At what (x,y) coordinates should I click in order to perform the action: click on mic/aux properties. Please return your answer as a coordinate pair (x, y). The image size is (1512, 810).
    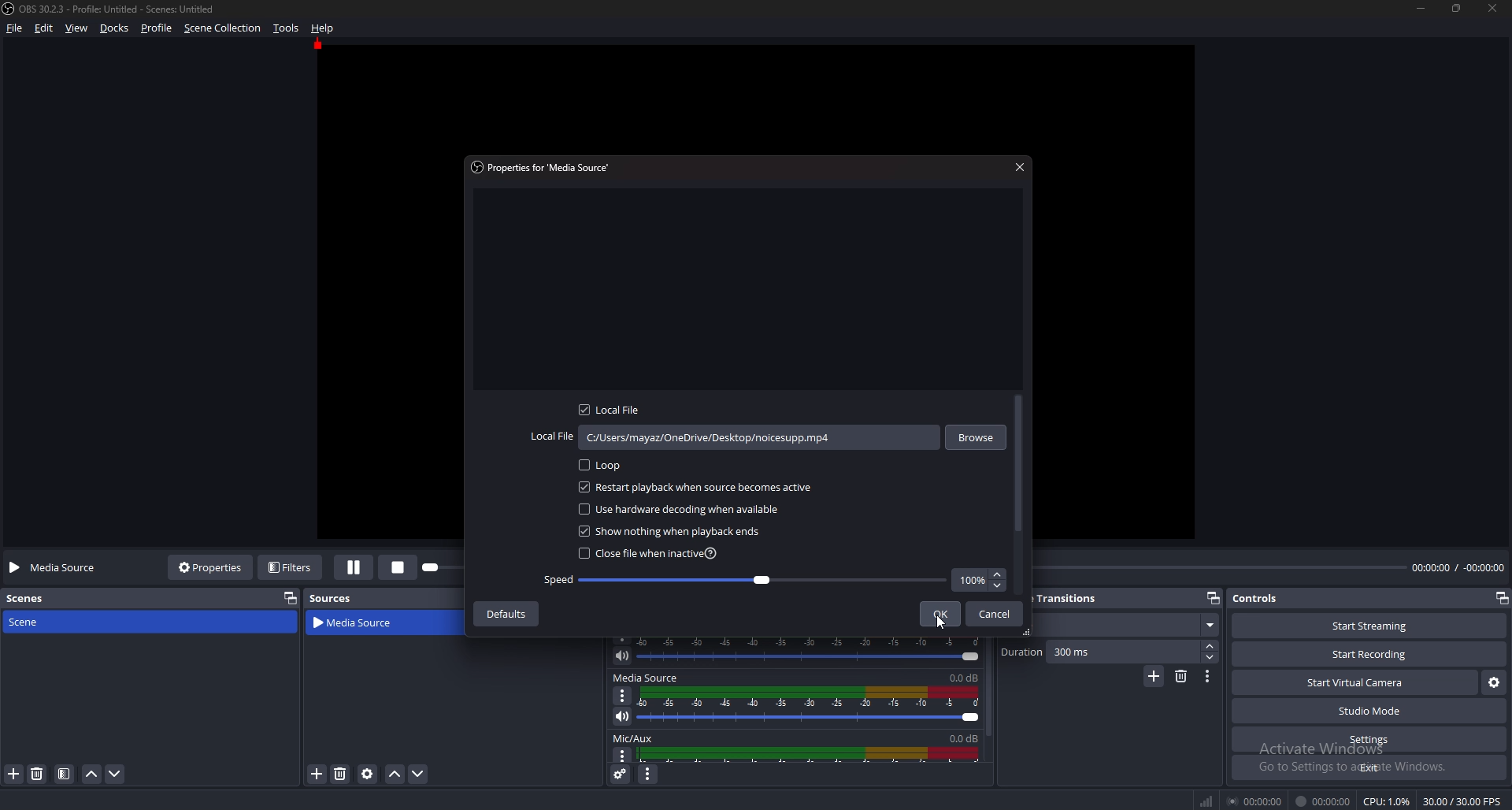
    Looking at the image, I should click on (621, 756).